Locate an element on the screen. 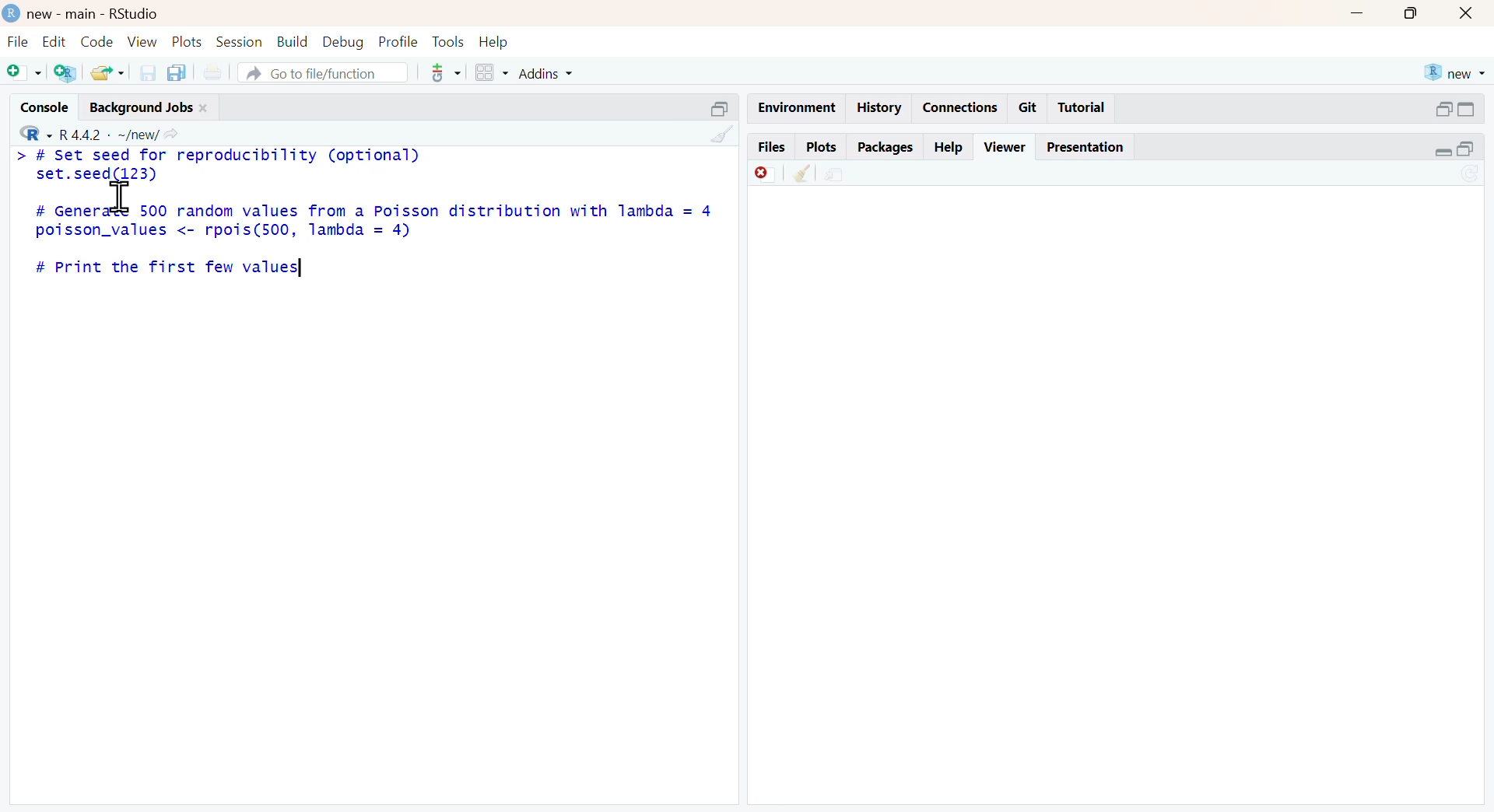 This screenshot has width=1494, height=812. save is located at coordinates (149, 73).